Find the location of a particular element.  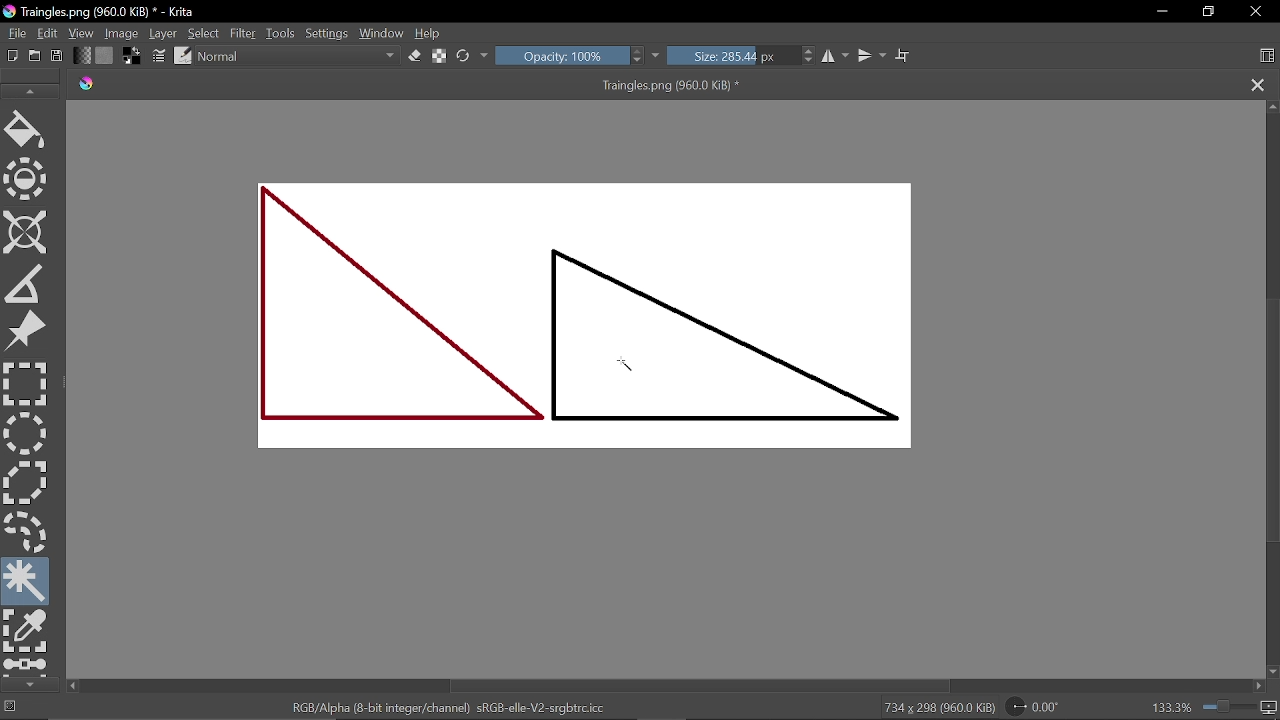

Layer is located at coordinates (164, 33).